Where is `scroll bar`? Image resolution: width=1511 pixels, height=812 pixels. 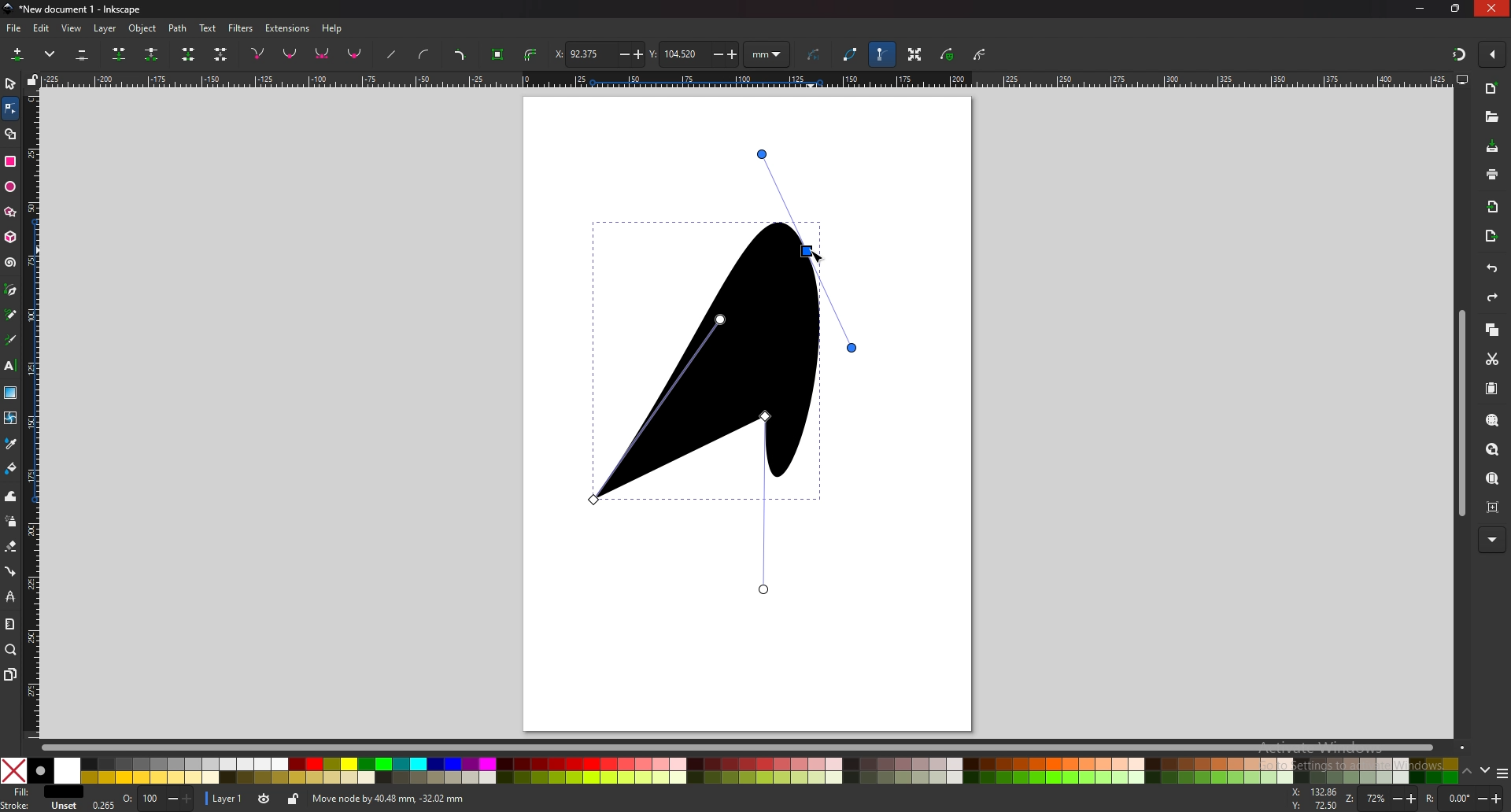 scroll bar is located at coordinates (755, 747).